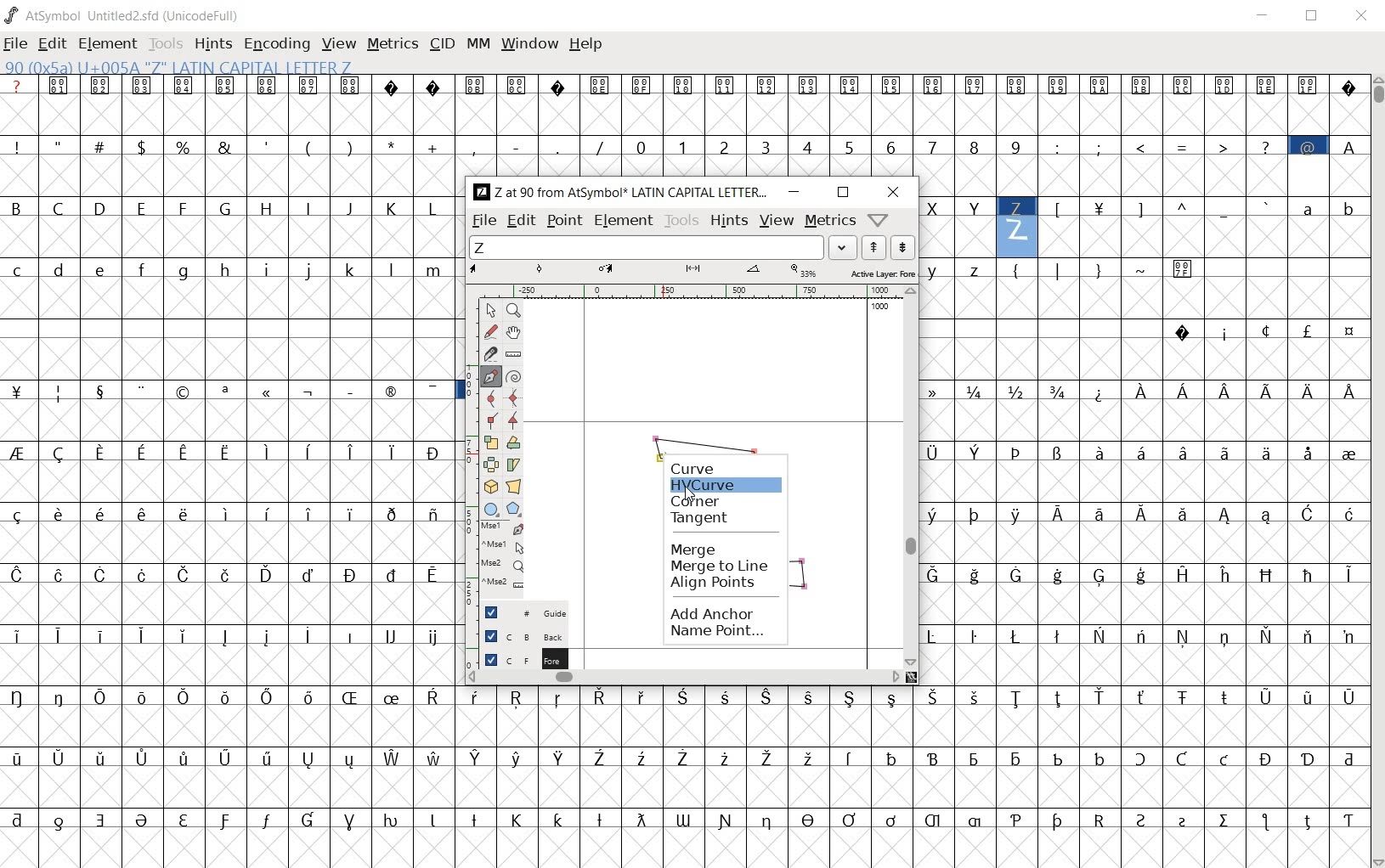  Describe the element at coordinates (702, 500) in the screenshot. I see `corner` at that location.